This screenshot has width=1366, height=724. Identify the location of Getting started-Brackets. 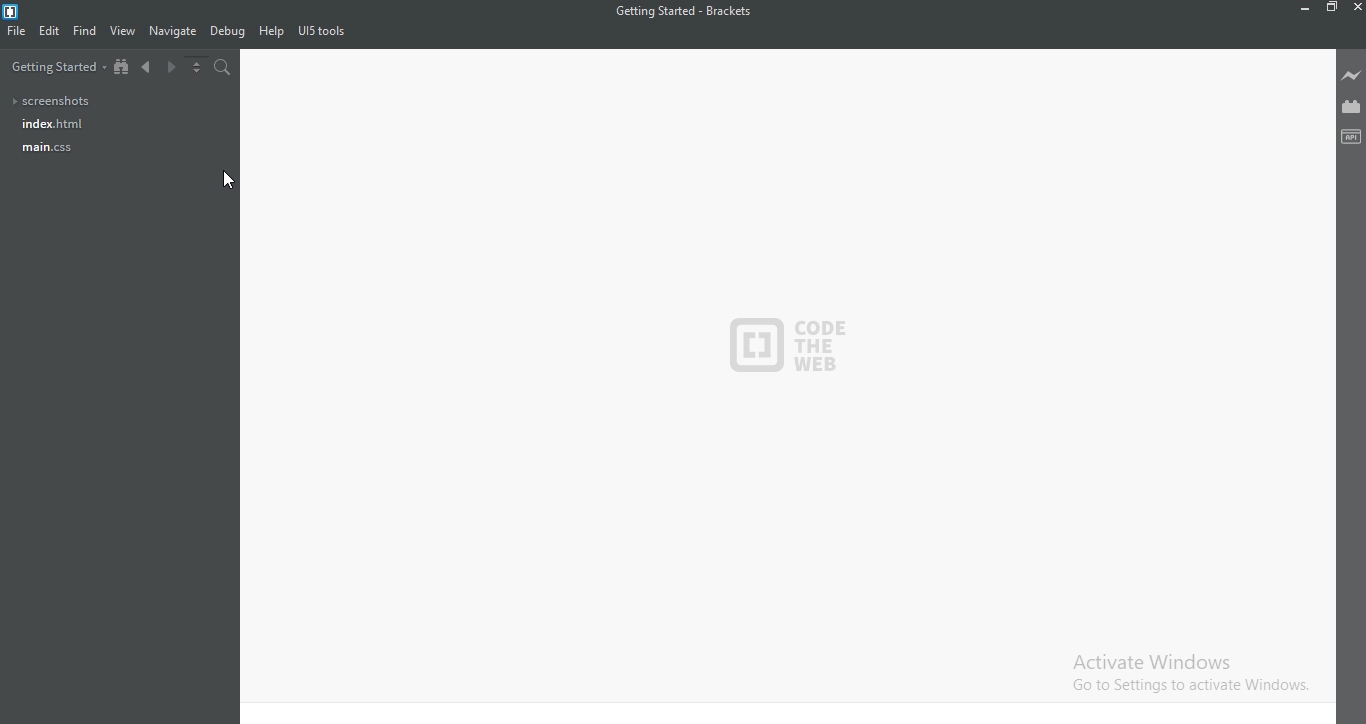
(682, 11).